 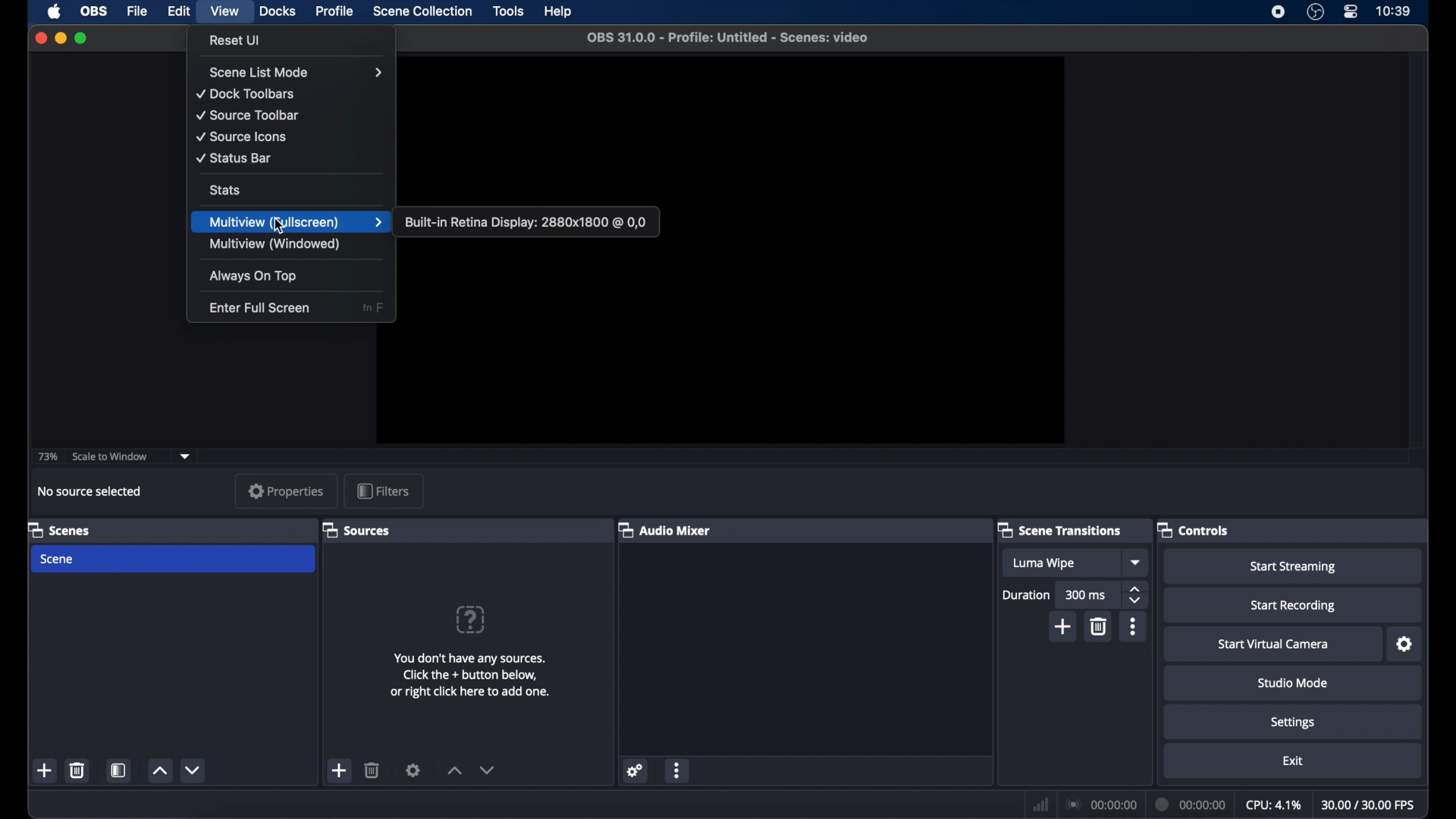 What do you see at coordinates (278, 11) in the screenshot?
I see `docks` at bounding box center [278, 11].